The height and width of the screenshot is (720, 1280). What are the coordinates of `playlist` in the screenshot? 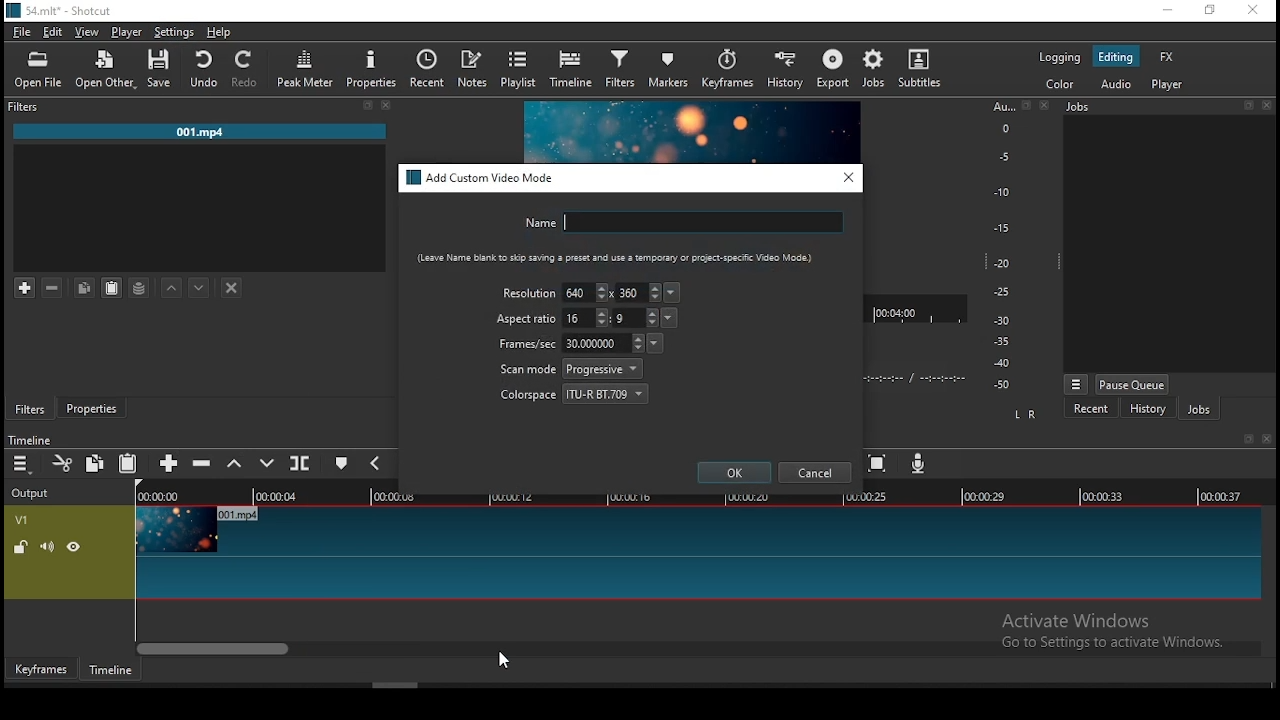 It's located at (520, 68).